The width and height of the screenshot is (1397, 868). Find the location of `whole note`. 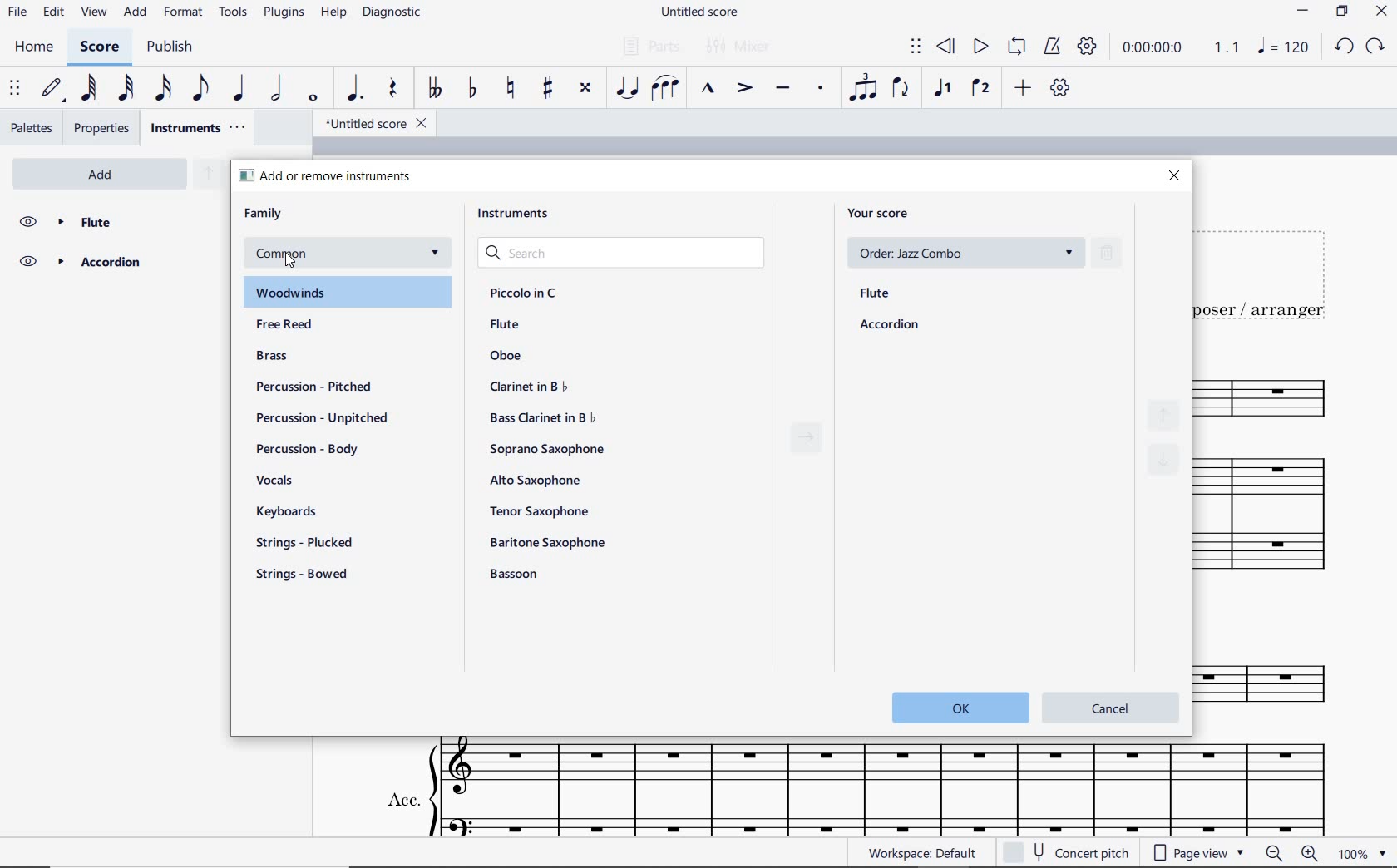

whole note is located at coordinates (311, 98).